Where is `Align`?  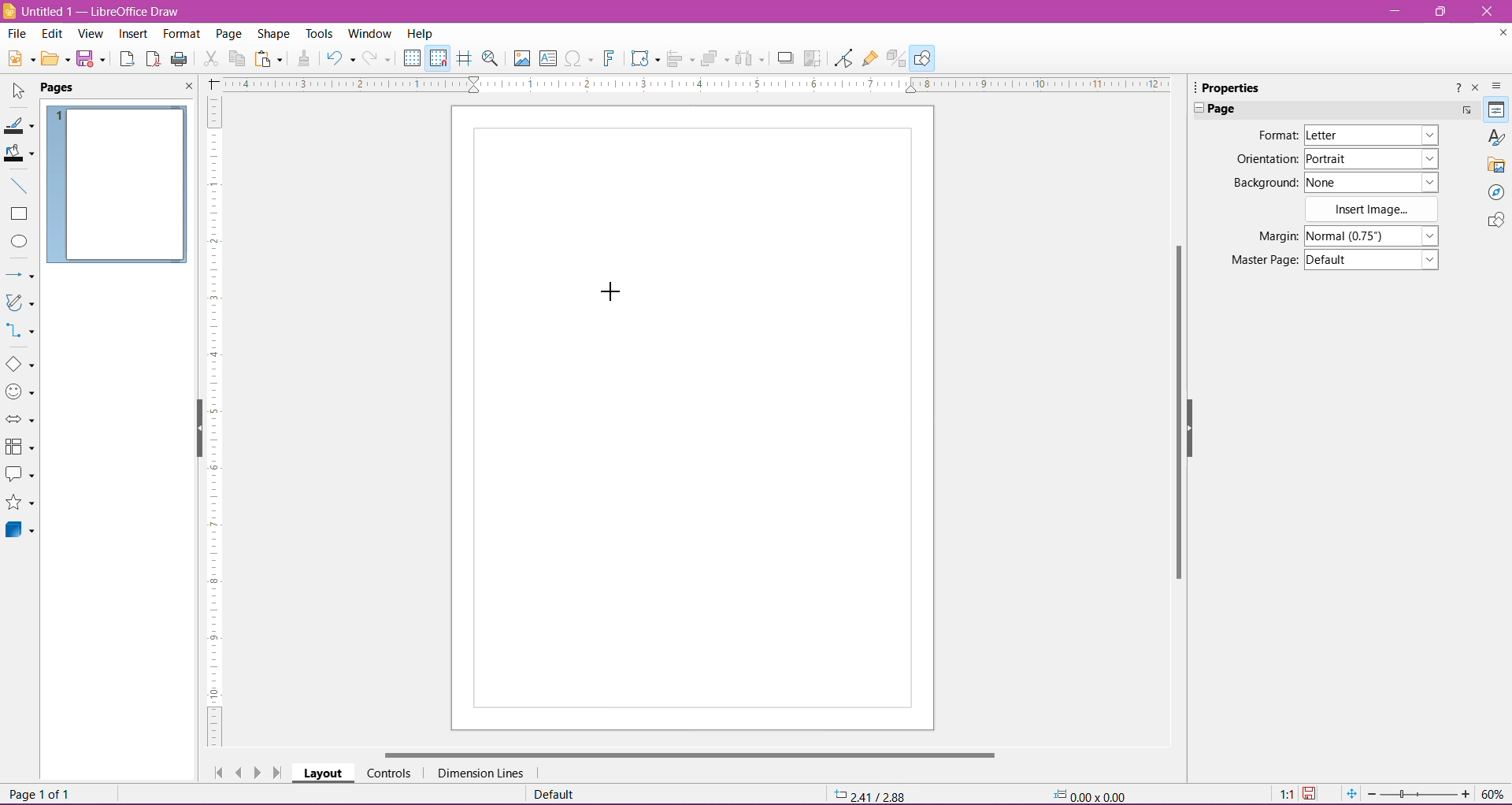
Align is located at coordinates (681, 60).